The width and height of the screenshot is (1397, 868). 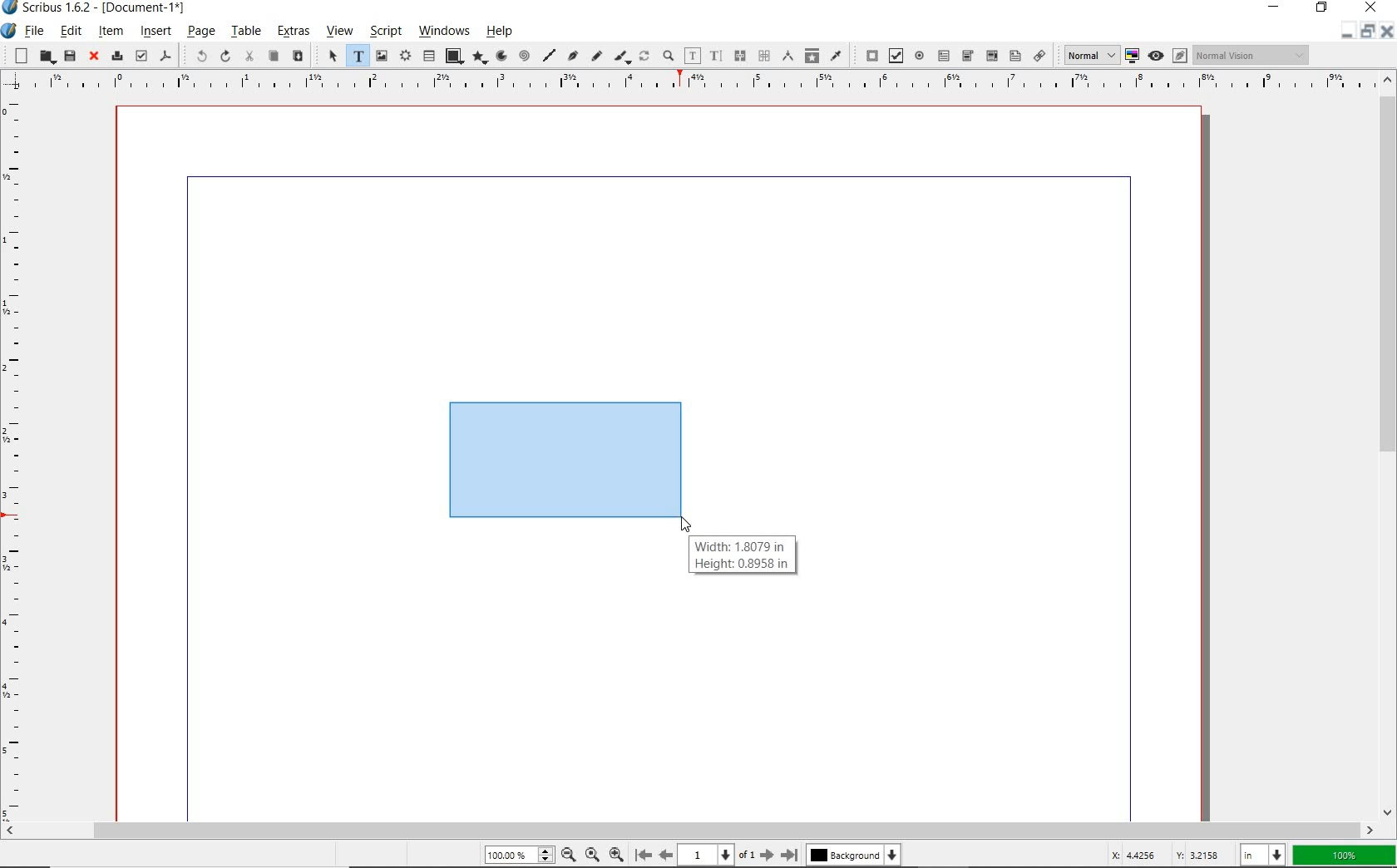 What do you see at coordinates (668, 57) in the screenshot?
I see `zoom in or zoom out` at bounding box center [668, 57].